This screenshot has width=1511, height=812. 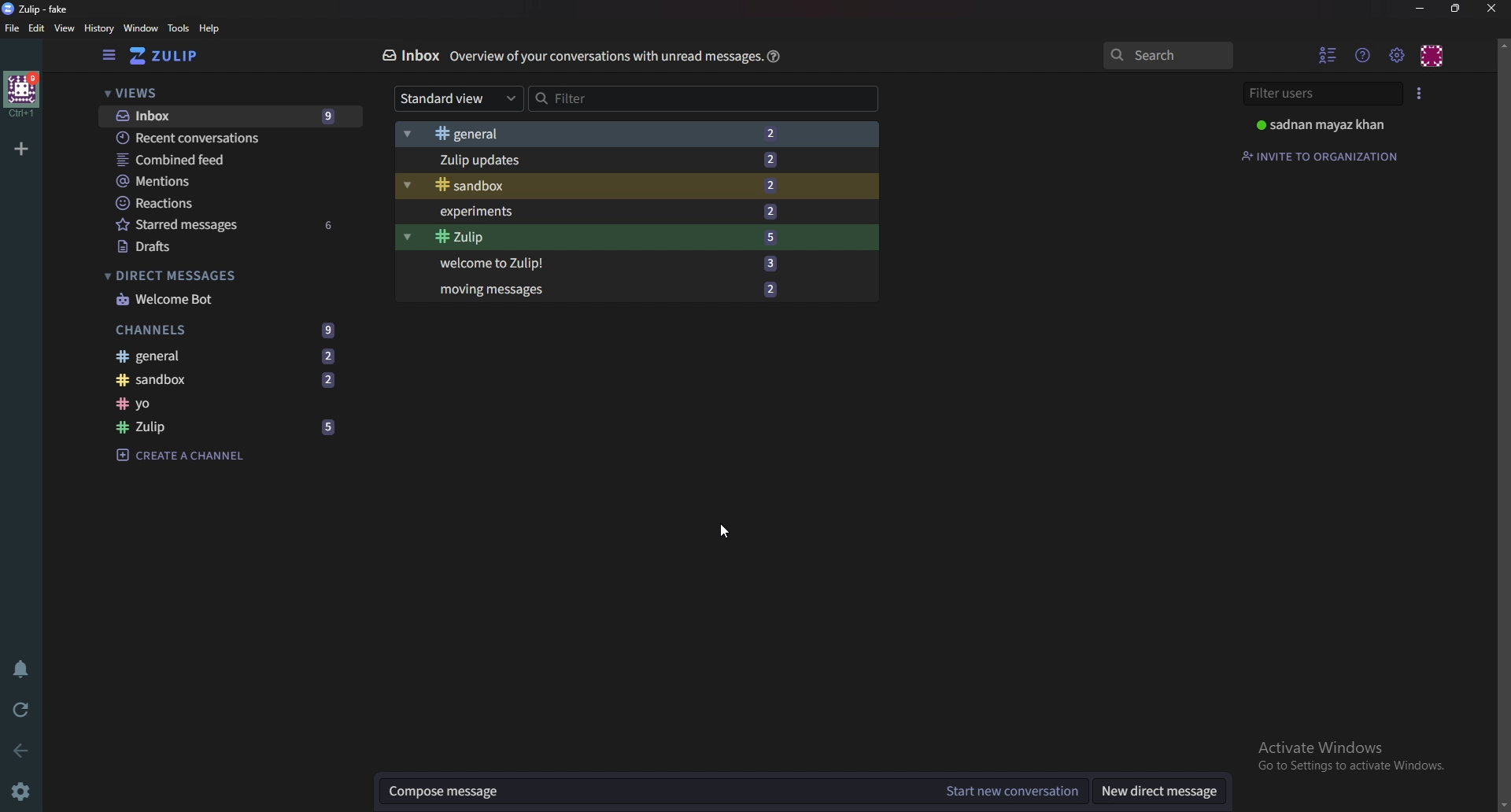 I want to click on Edit, so click(x=36, y=29).